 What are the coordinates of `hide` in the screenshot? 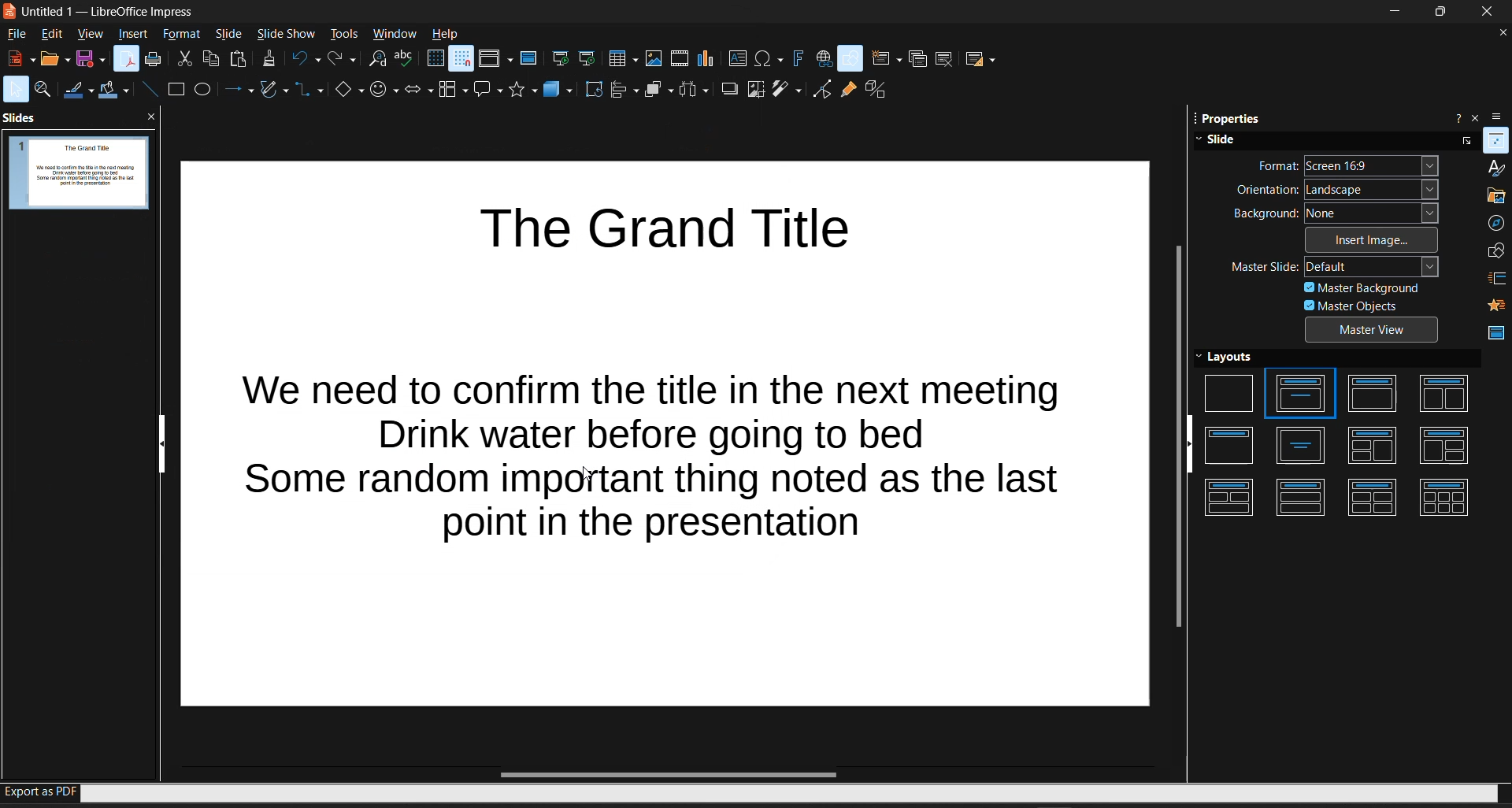 It's located at (165, 444).